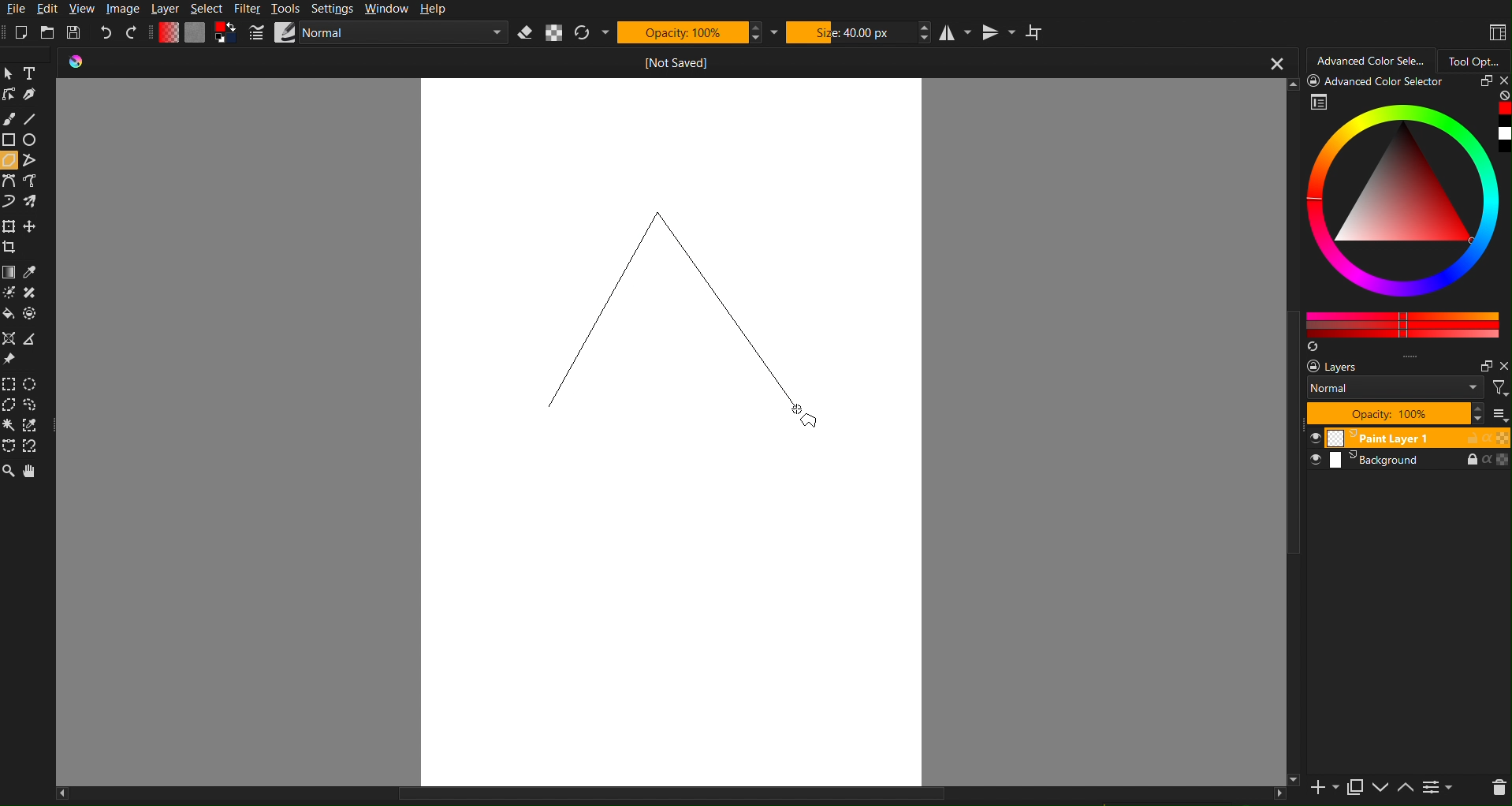 This screenshot has width=1512, height=806. What do you see at coordinates (31, 291) in the screenshot?
I see `smart patch tool` at bounding box center [31, 291].